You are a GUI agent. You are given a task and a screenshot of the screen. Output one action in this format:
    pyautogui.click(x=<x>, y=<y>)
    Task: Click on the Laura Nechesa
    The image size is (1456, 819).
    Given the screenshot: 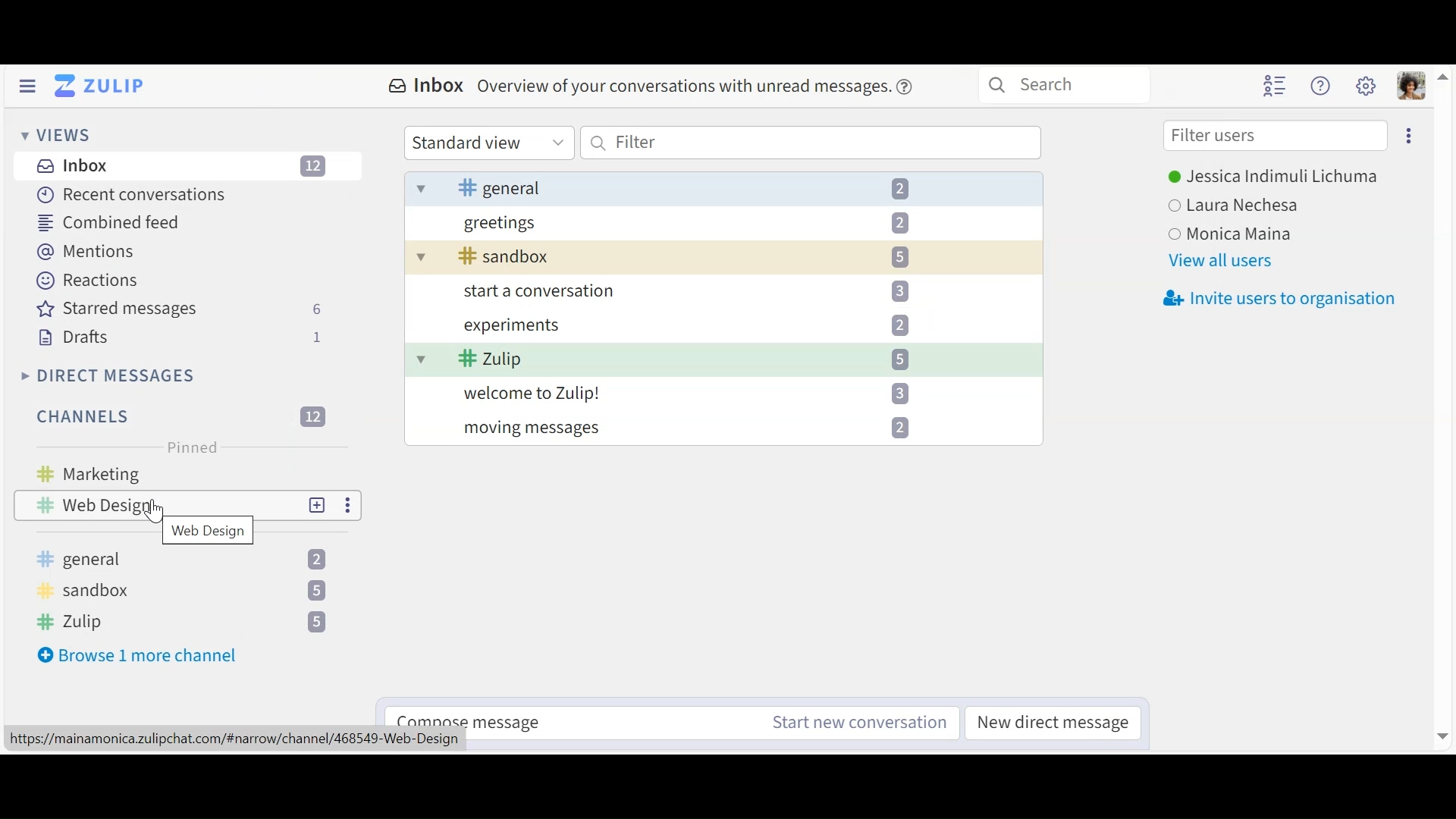 What is the action you would take?
    pyautogui.click(x=1254, y=206)
    